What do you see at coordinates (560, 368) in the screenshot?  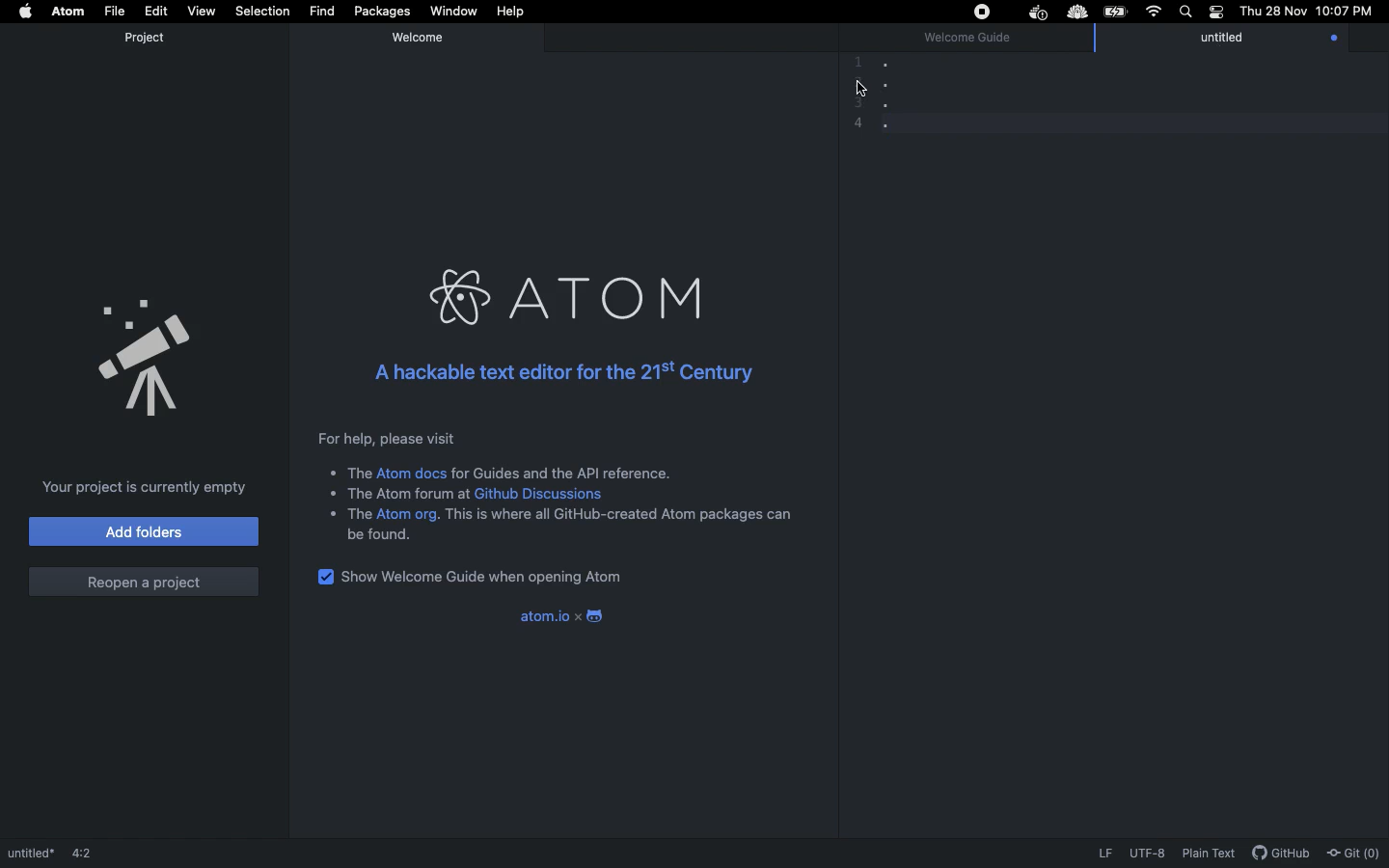 I see `Hackable text editor` at bounding box center [560, 368].